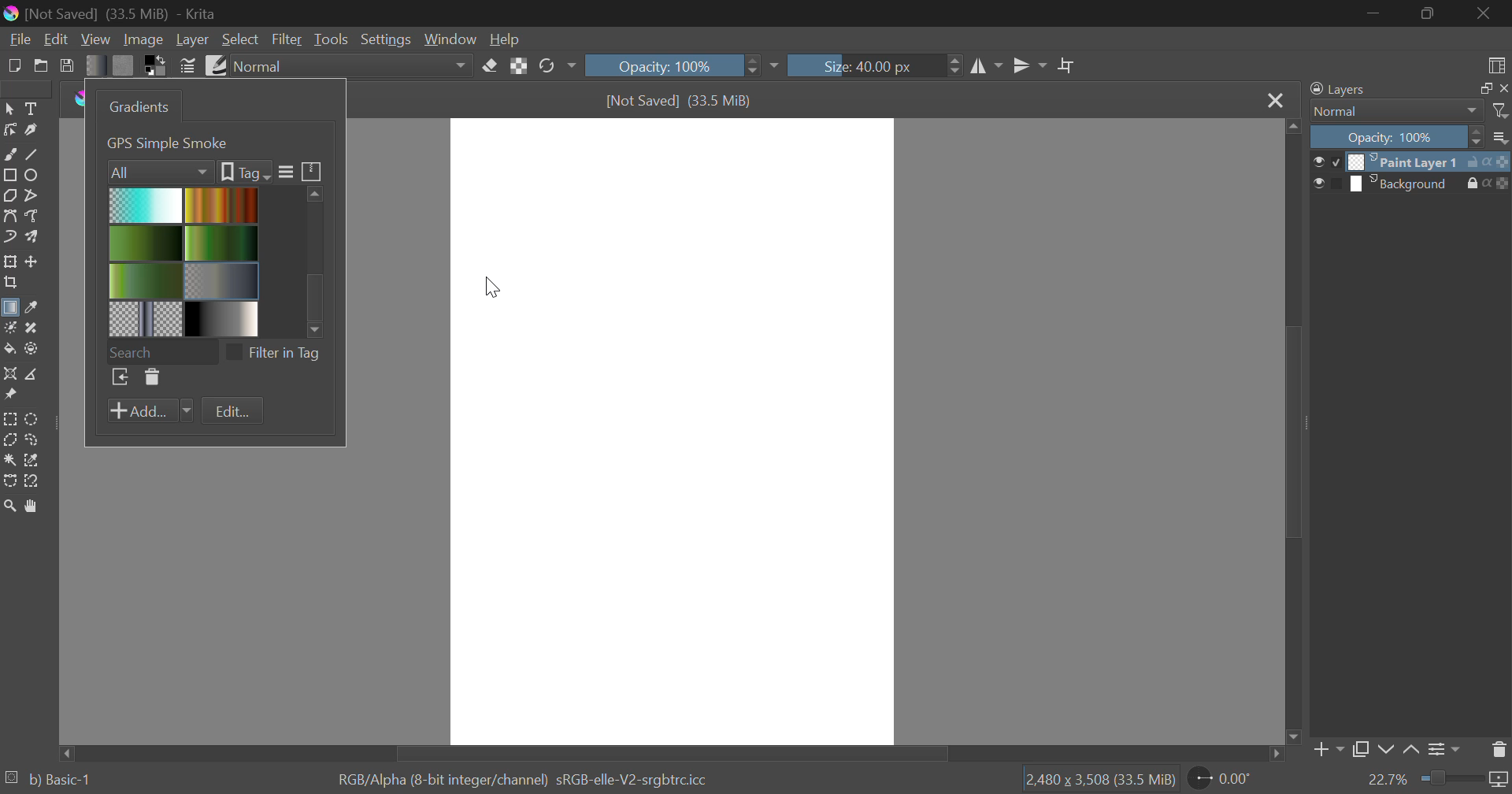 The width and height of the screenshot is (1512, 794). What do you see at coordinates (161, 350) in the screenshot?
I see `Search` at bounding box center [161, 350].